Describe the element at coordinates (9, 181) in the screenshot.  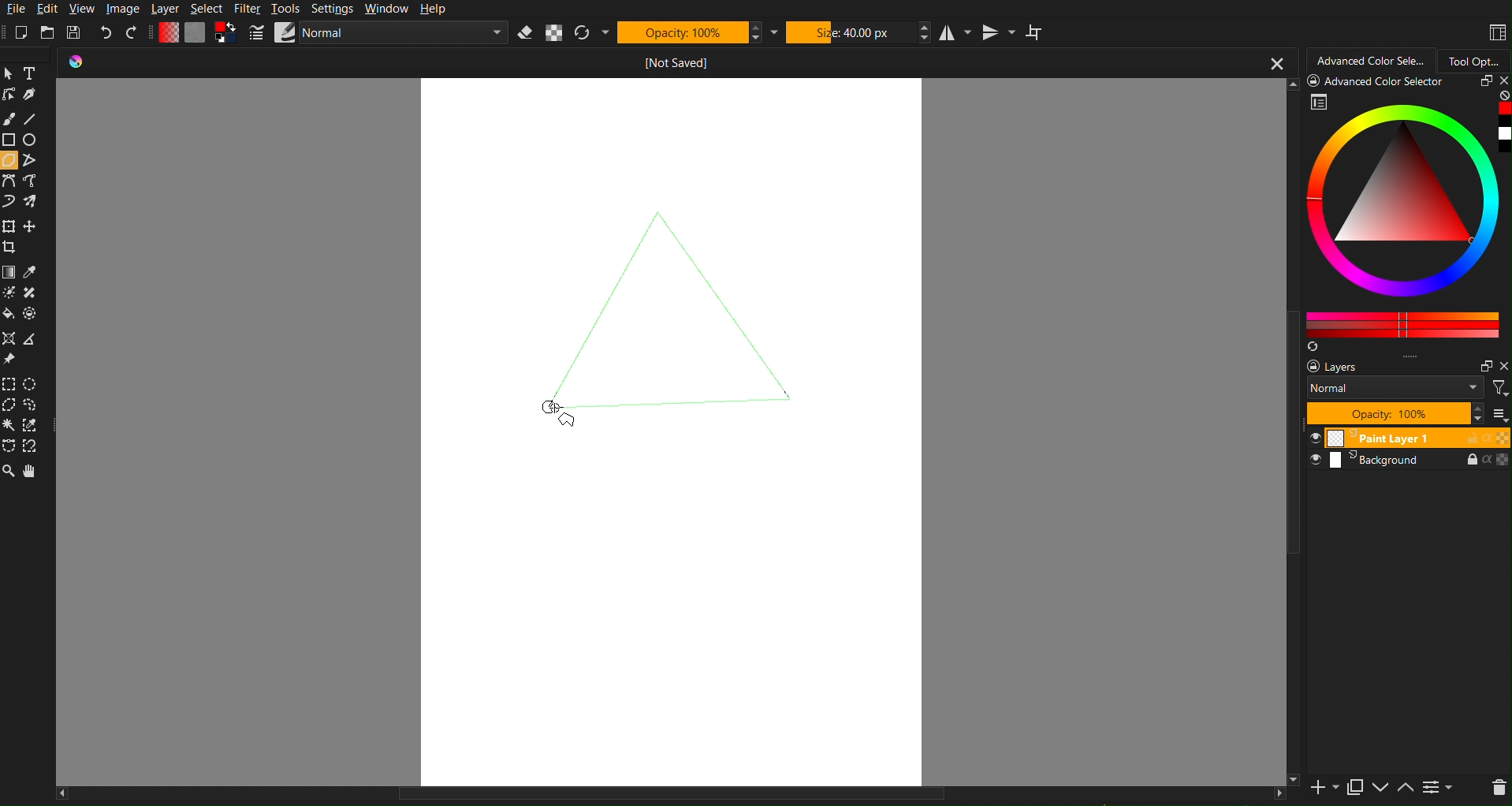
I see `bezier Curve Tools` at that location.